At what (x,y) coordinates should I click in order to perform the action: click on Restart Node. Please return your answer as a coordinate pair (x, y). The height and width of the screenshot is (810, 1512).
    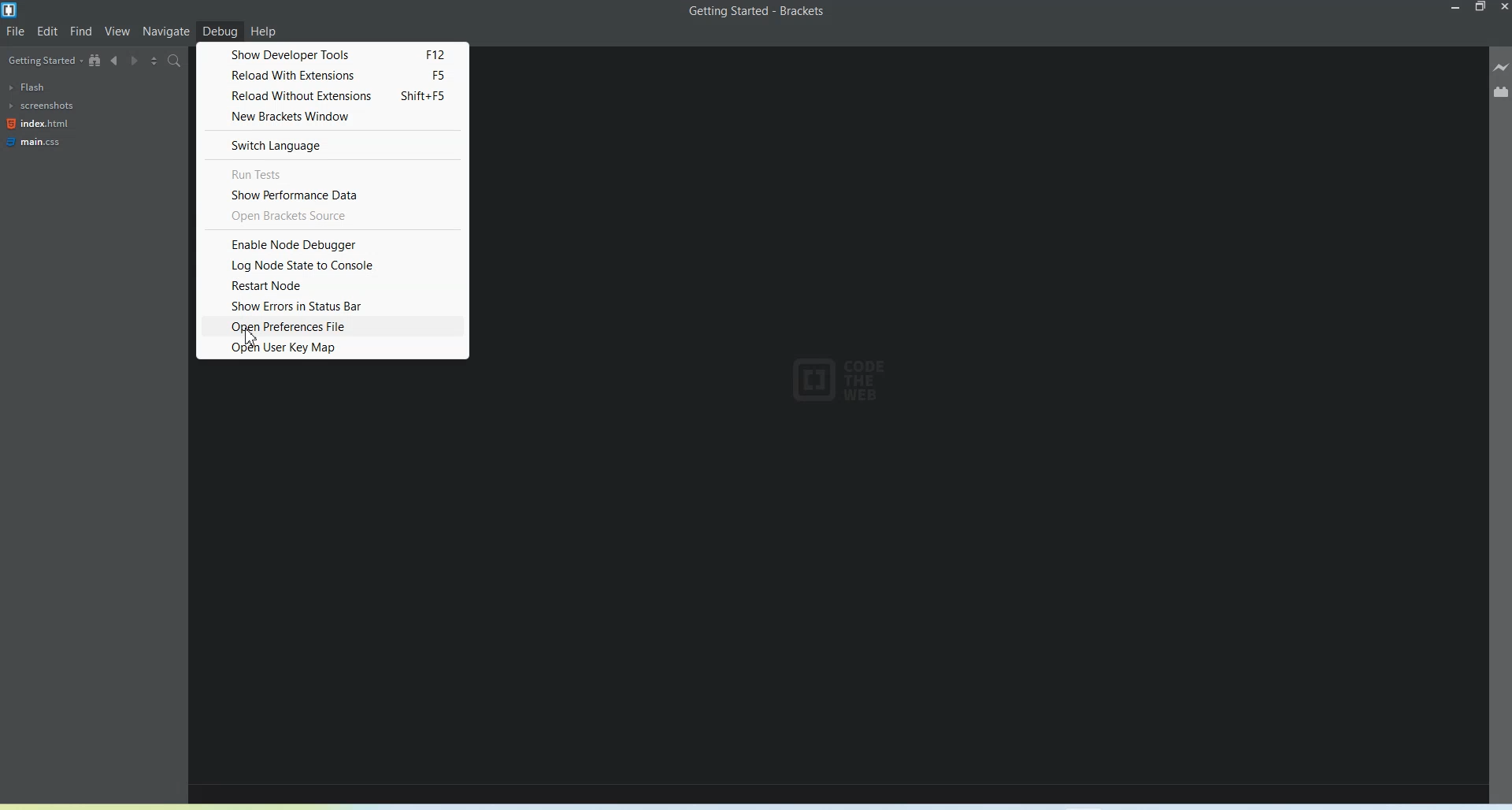
    Looking at the image, I should click on (333, 285).